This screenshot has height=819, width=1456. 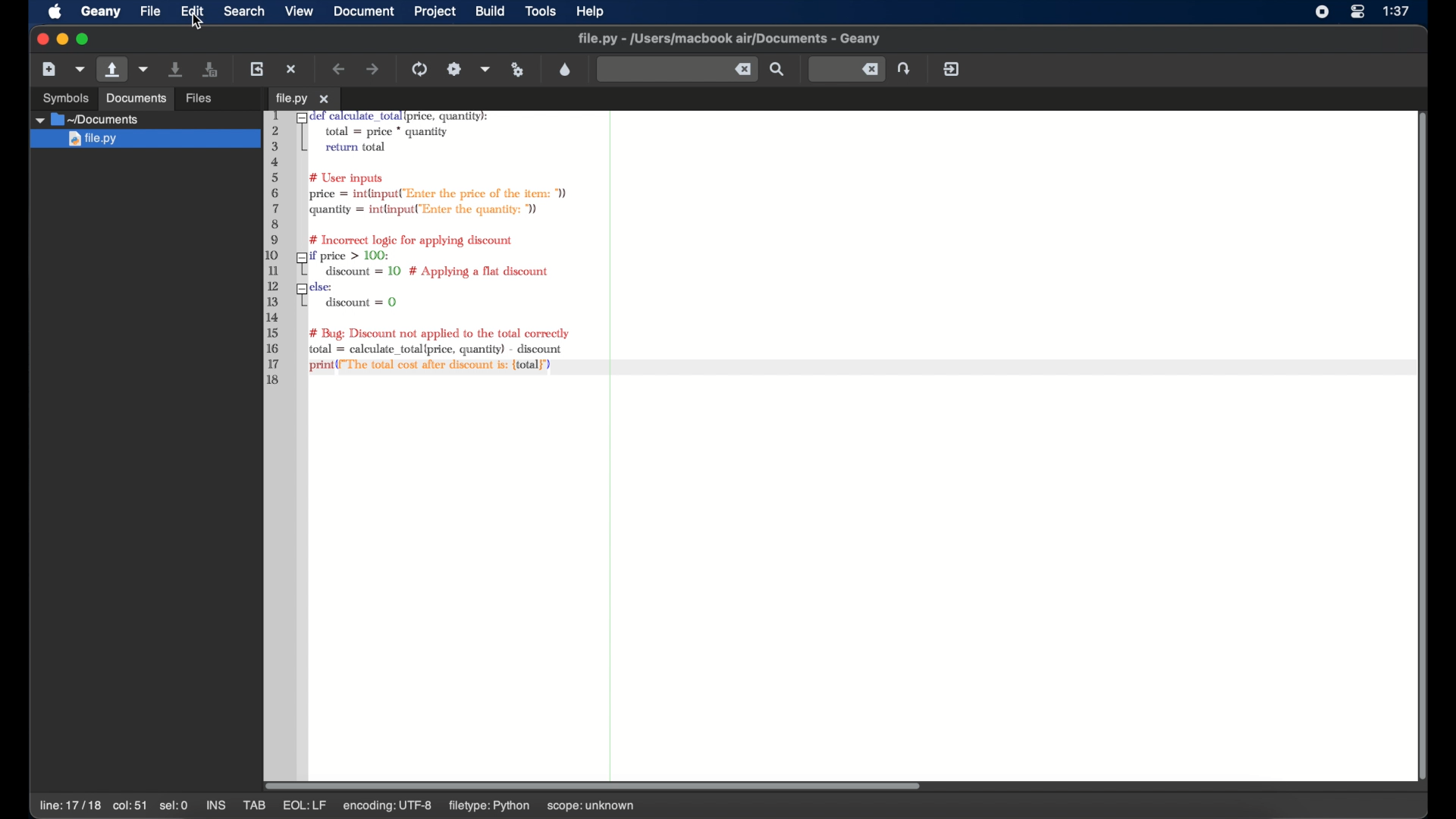 I want to click on symbols, so click(x=65, y=97).